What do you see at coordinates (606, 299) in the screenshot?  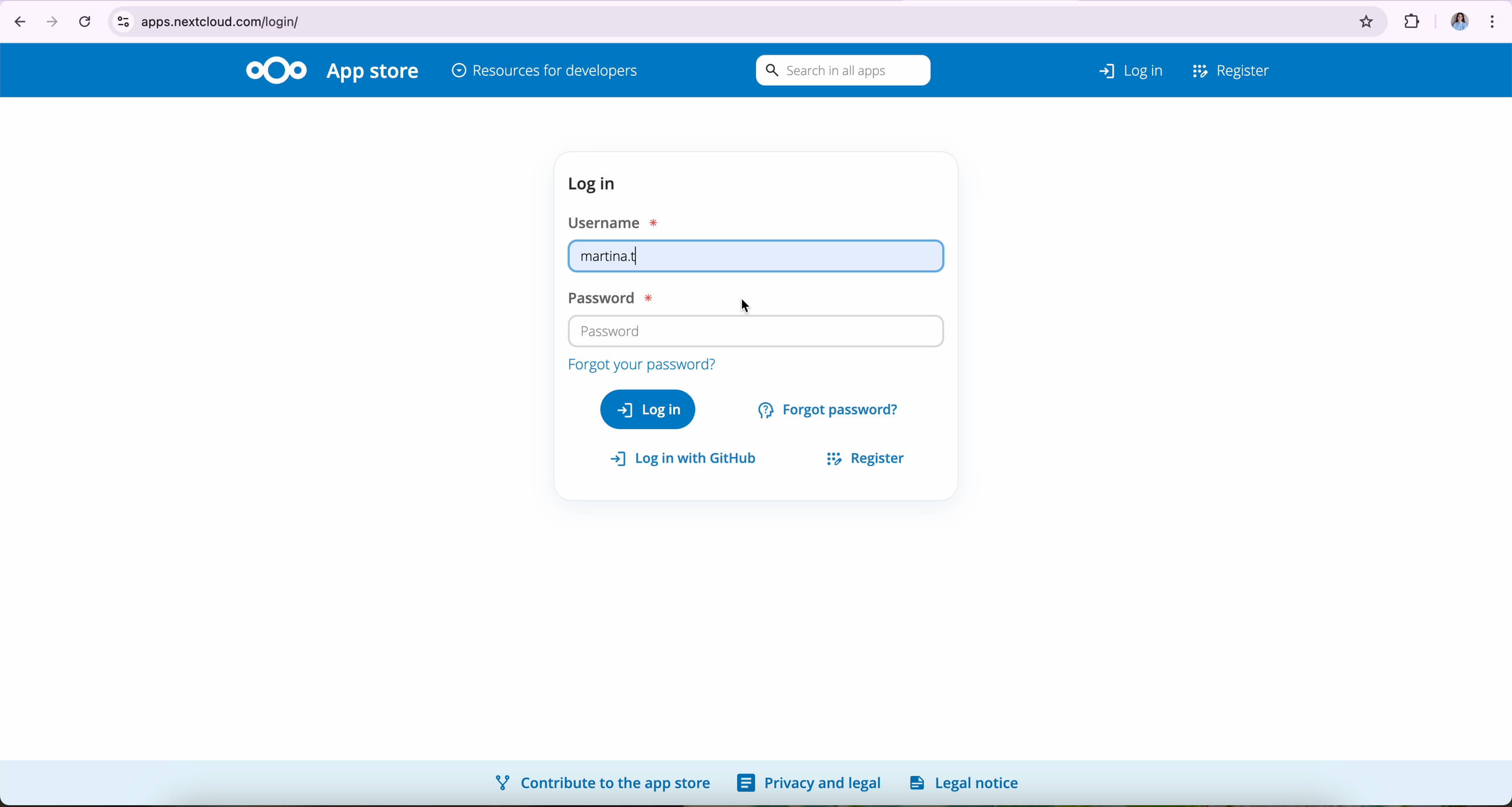 I see `password ` at bounding box center [606, 299].